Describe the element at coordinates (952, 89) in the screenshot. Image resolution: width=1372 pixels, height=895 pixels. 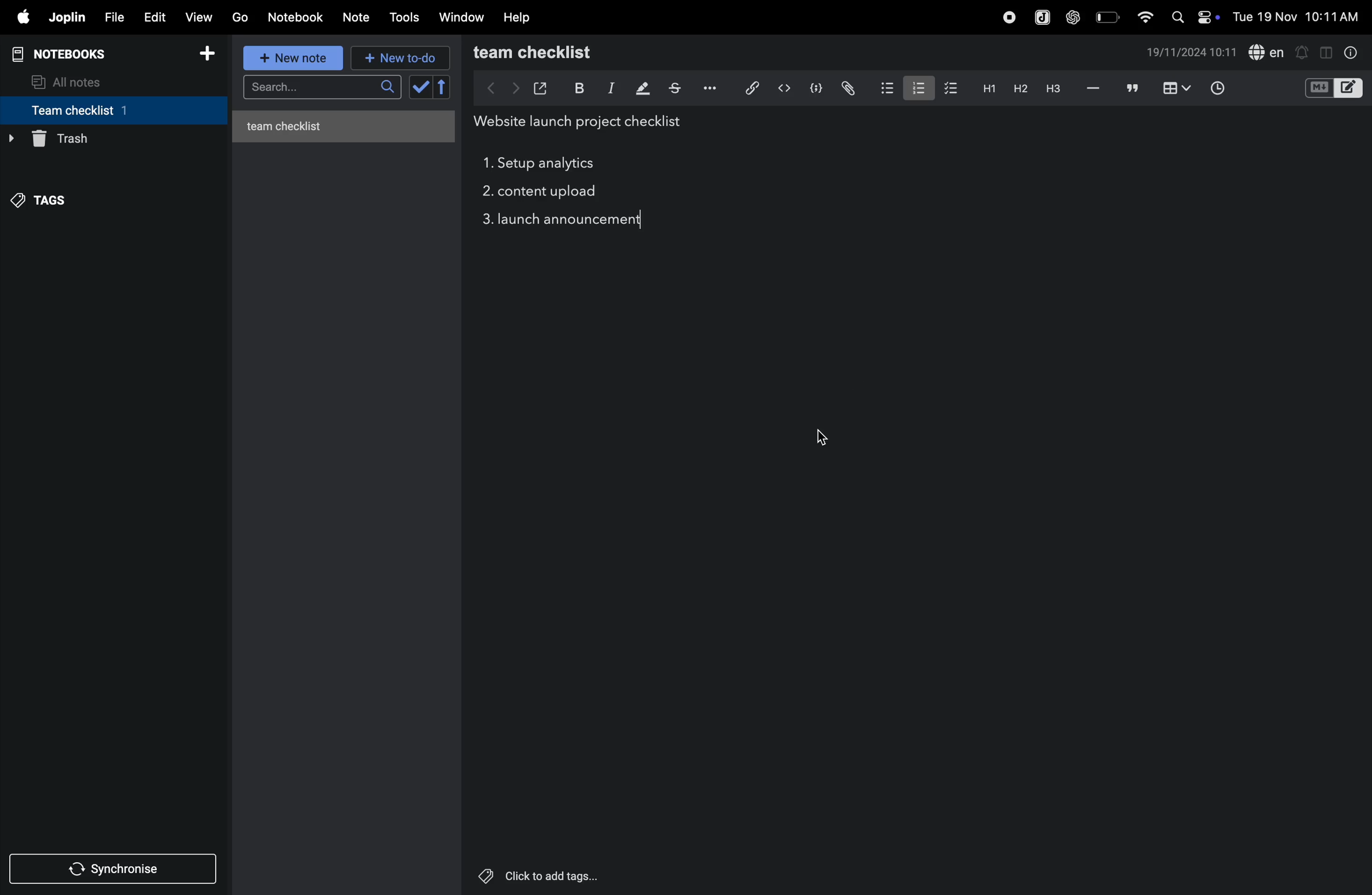
I see `checklist` at that location.